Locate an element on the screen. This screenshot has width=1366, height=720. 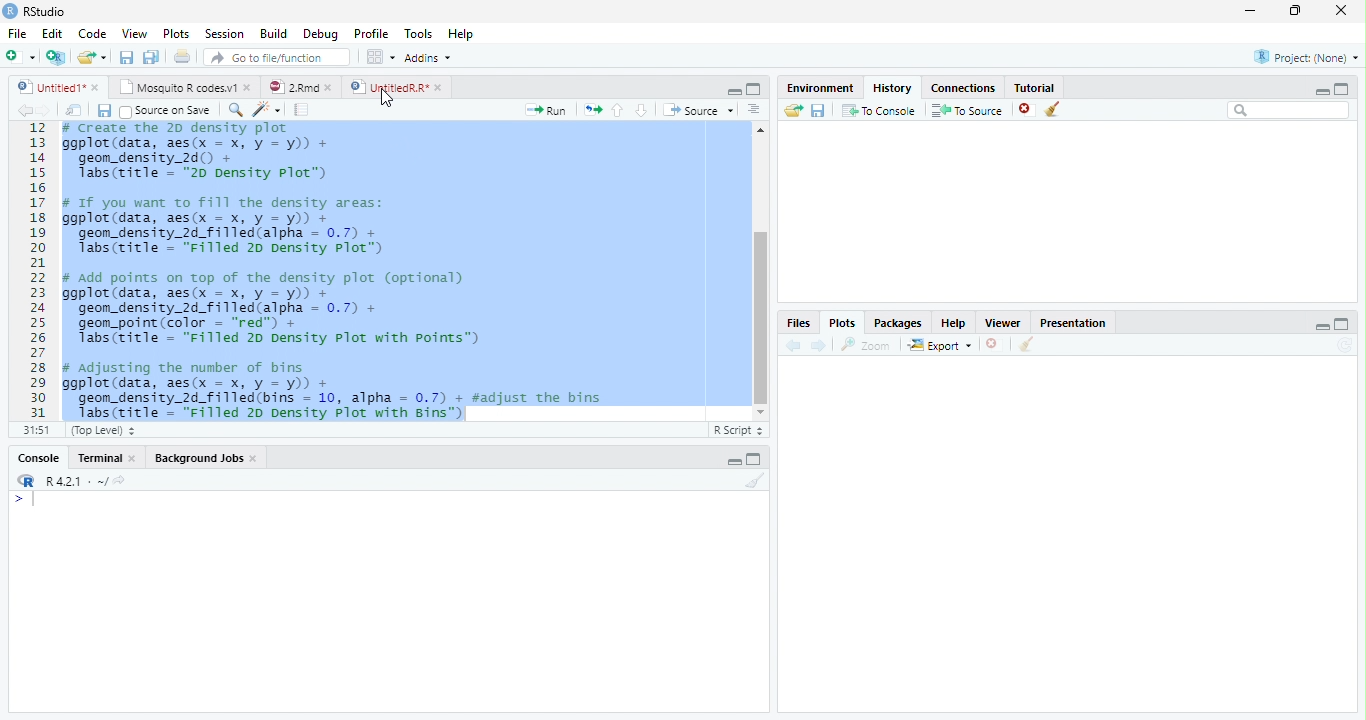
code tool is located at coordinates (267, 110).